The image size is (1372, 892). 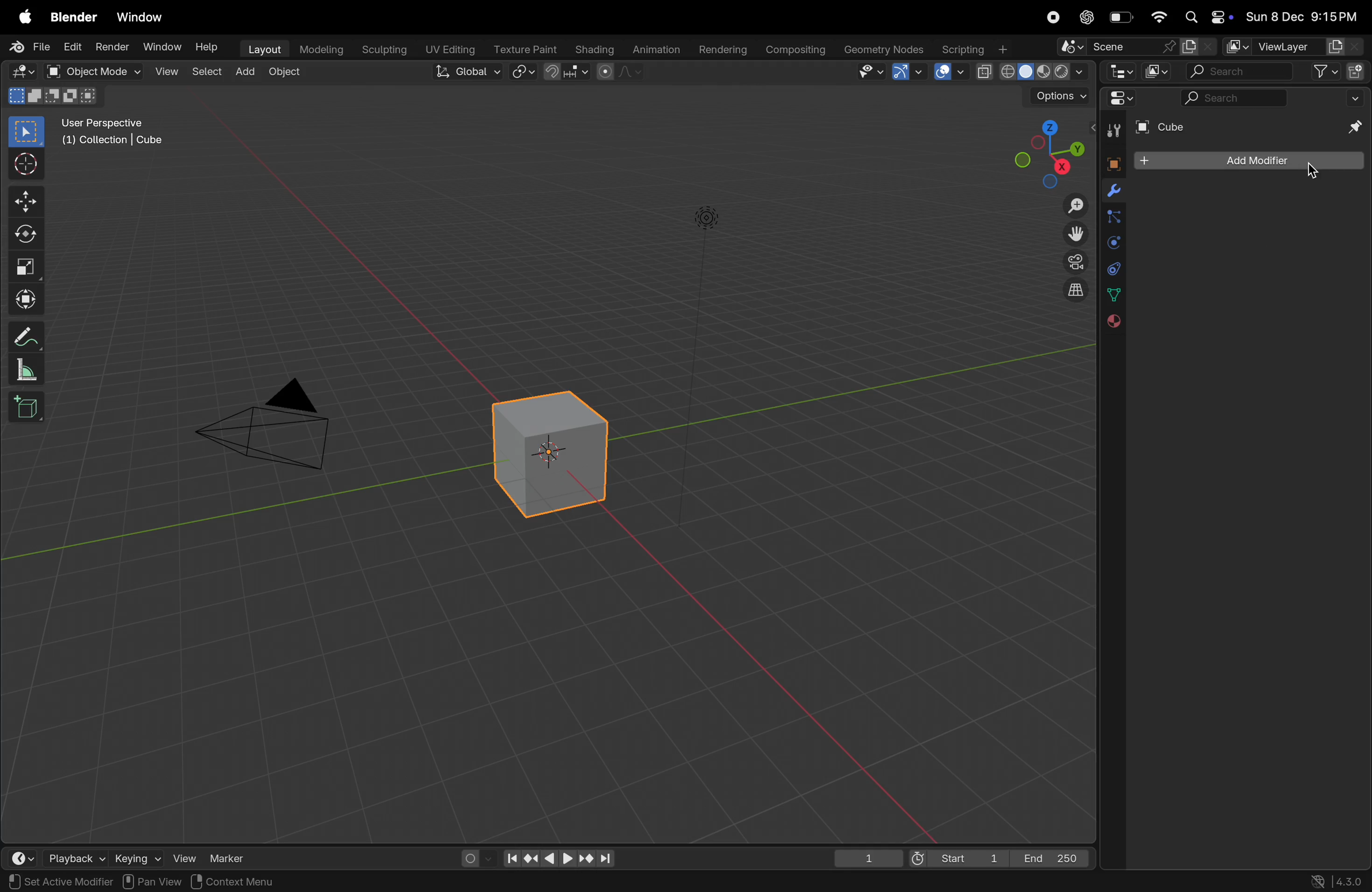 What do you see at coordinates (105, 72) in the screenshot?
I see `object mode` at bounding box center [105, 72].